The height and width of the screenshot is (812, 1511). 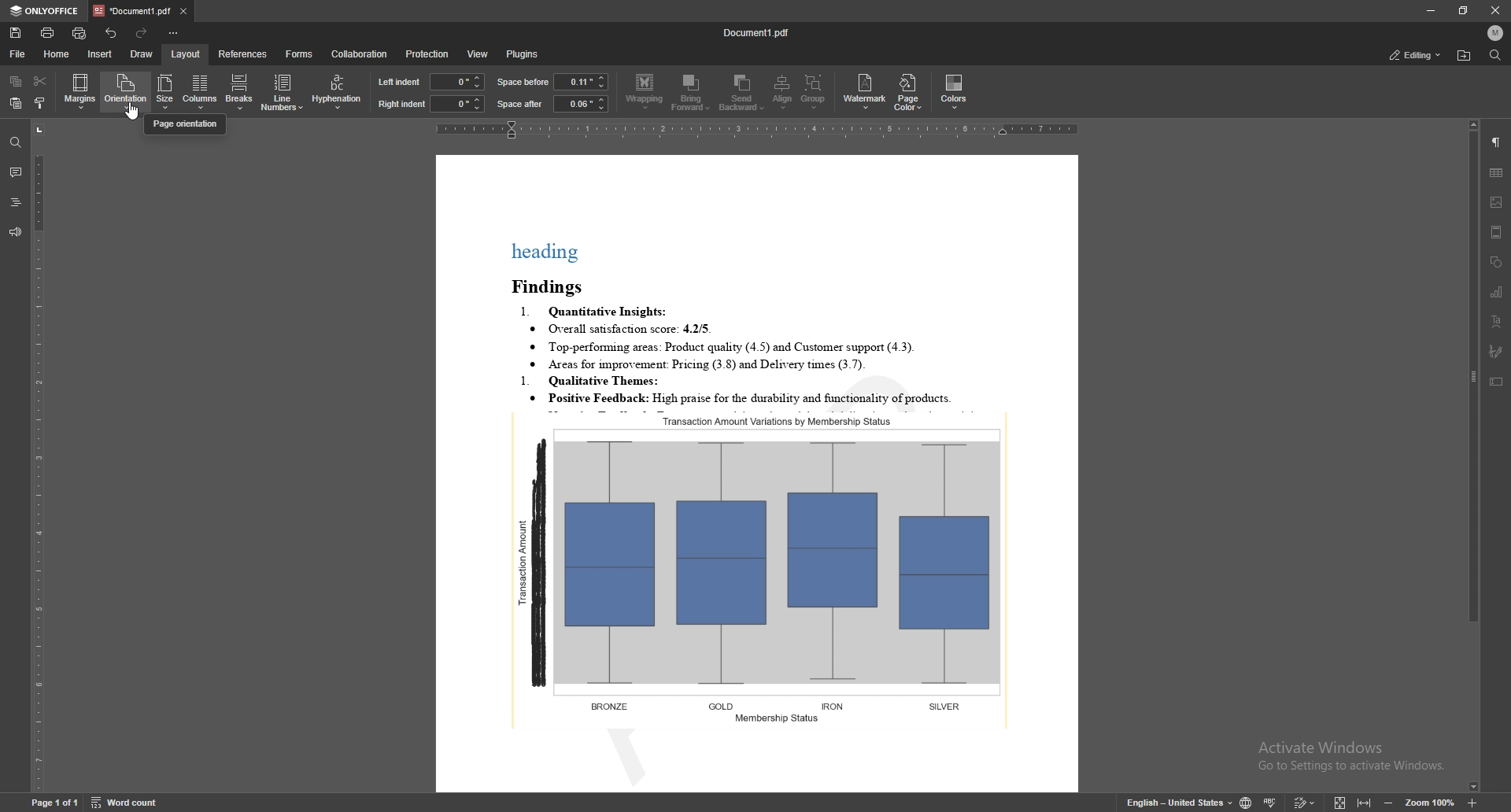 What do you see at coordinates (198, 92) in the screenshot?
I see `columns` at bounding box center [198, 92].